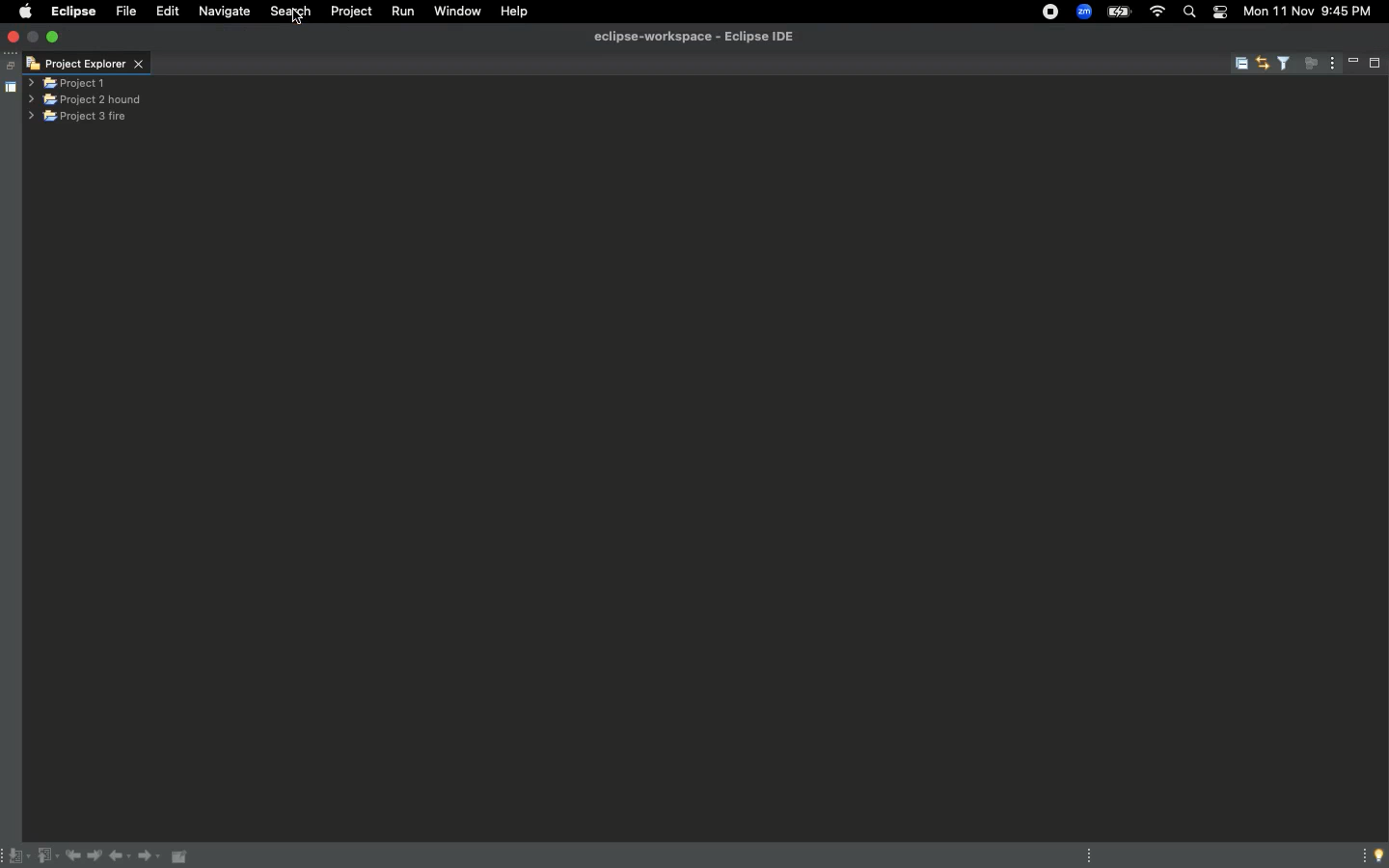  What do you see at coordinates (1084, 14) in the screenshot?
I see `Zoom` at bounding box center [1084, 14].